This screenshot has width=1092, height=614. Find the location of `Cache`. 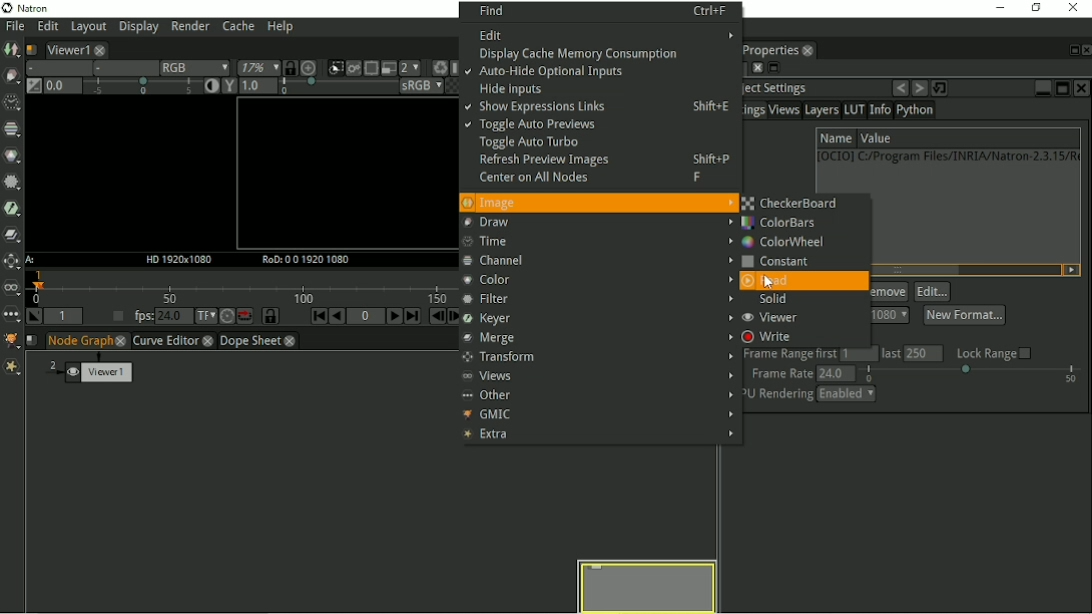

Cache is located at coordinates (237, 27).